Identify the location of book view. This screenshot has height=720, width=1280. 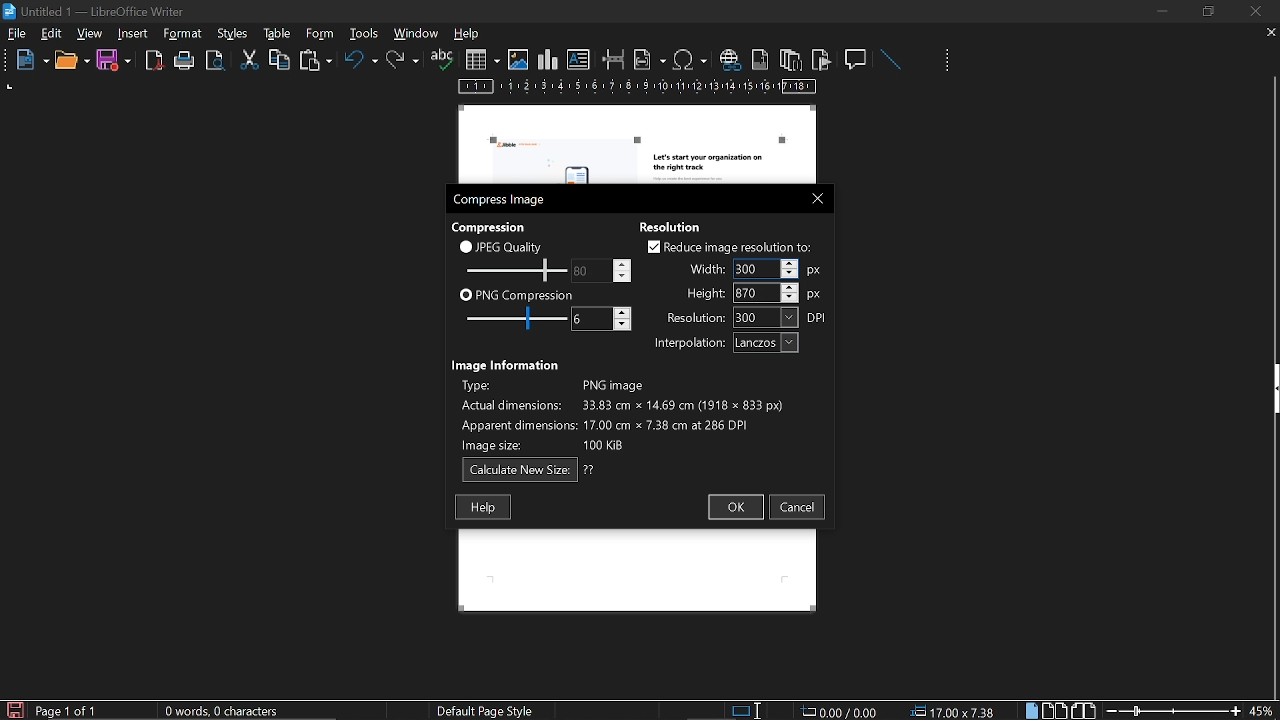
(1083, 711).